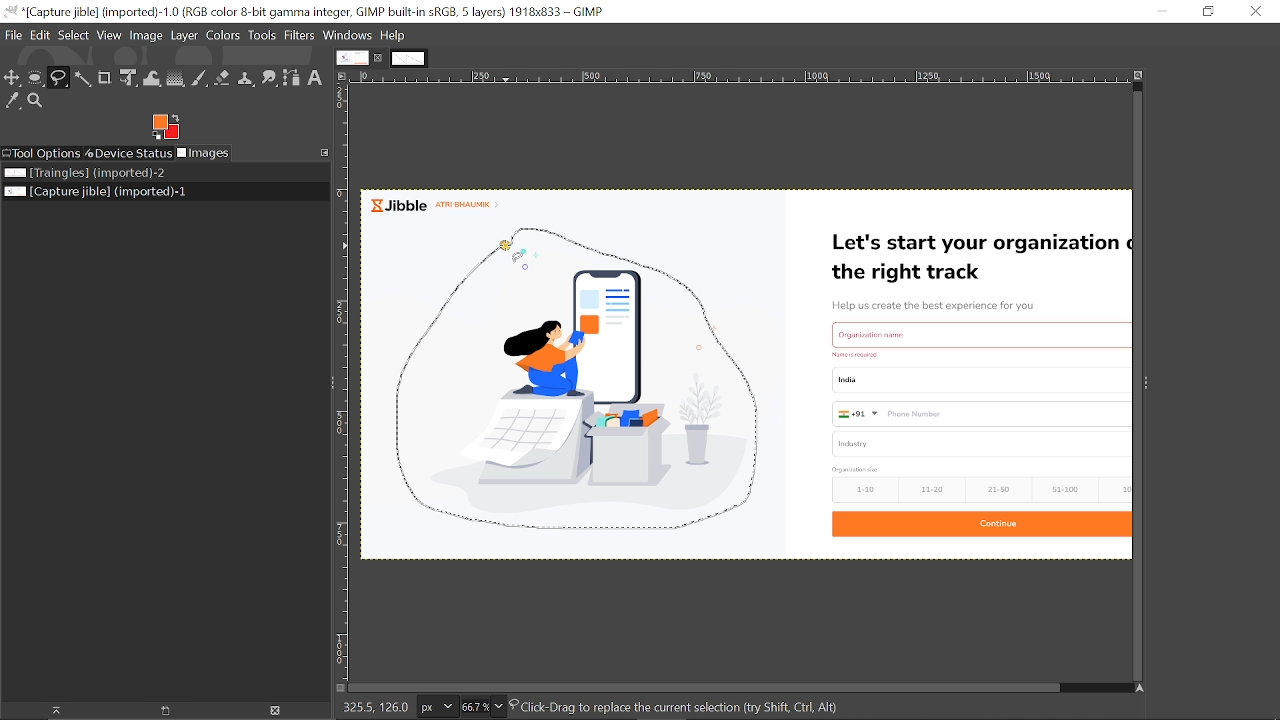 The height and width of the screenshot is (720, 1280). I want to click on Zoom image when window size changes, so click(1139, 77).